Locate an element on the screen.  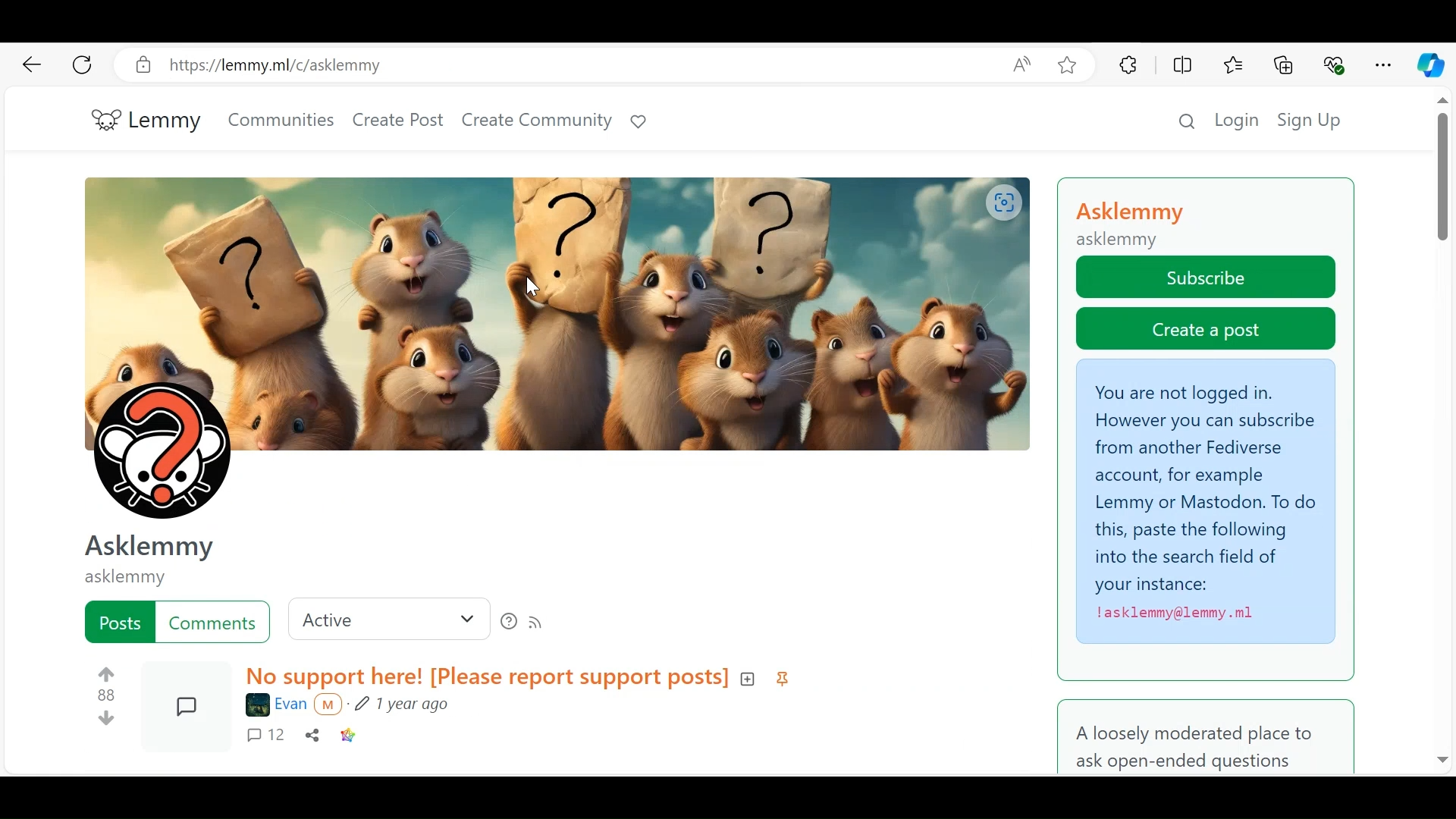
link is located at coordinates (348, 737).